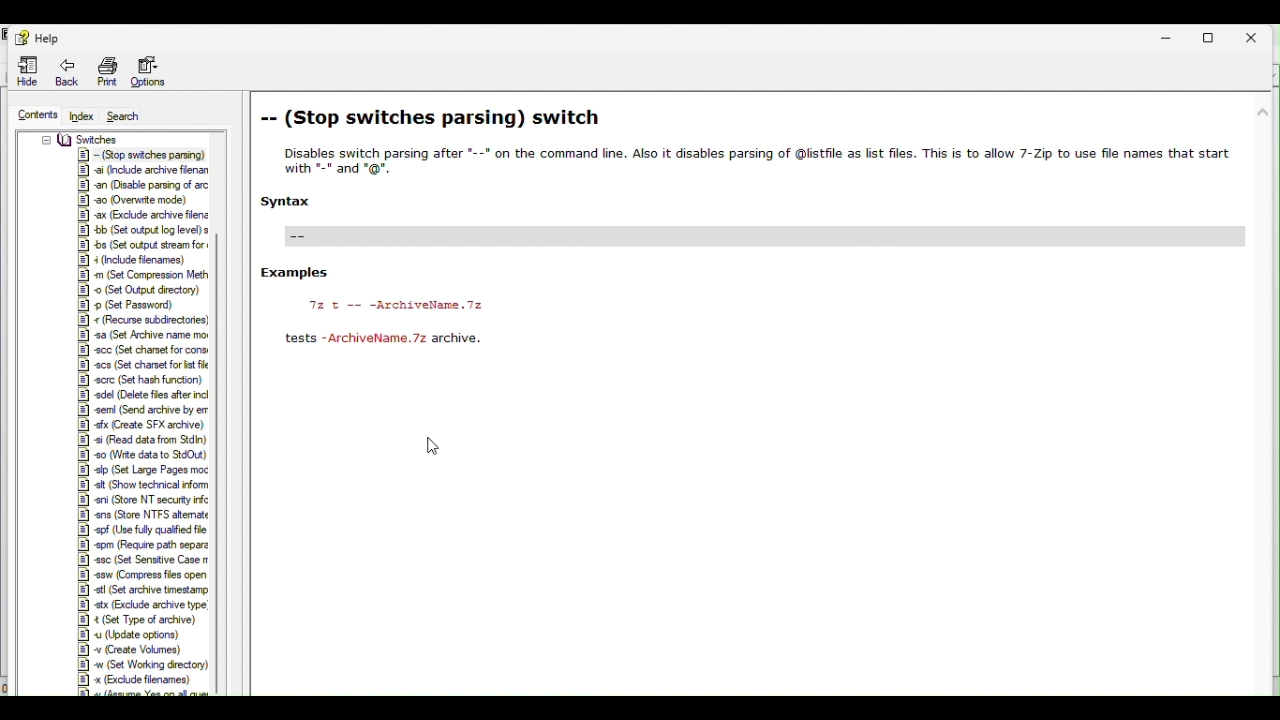 This screenshot has width=1280, height=720. Describe the element at coordinates (145, 229) in the screenshot. I see `` at that location.